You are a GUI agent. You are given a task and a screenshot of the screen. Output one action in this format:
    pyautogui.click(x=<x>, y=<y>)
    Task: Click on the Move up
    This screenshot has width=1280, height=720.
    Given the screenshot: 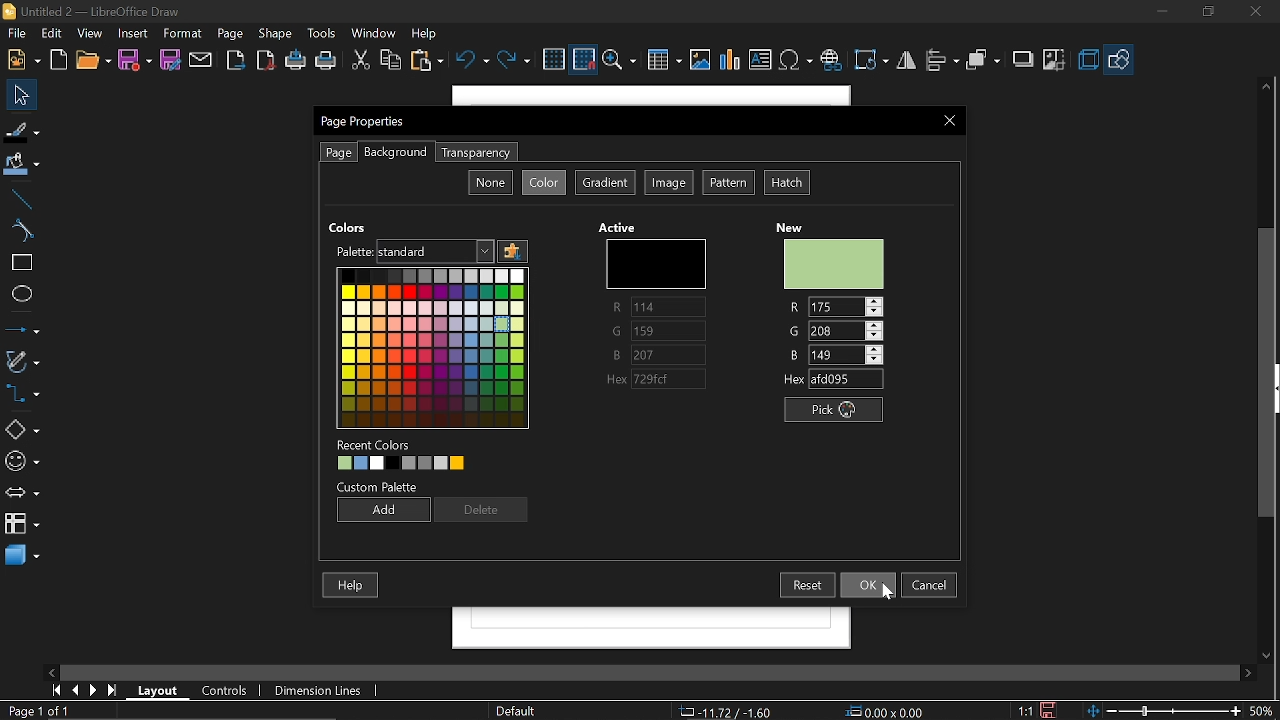 What is the action you would take?
    pyautogui.click(x=1269, y=86)
    